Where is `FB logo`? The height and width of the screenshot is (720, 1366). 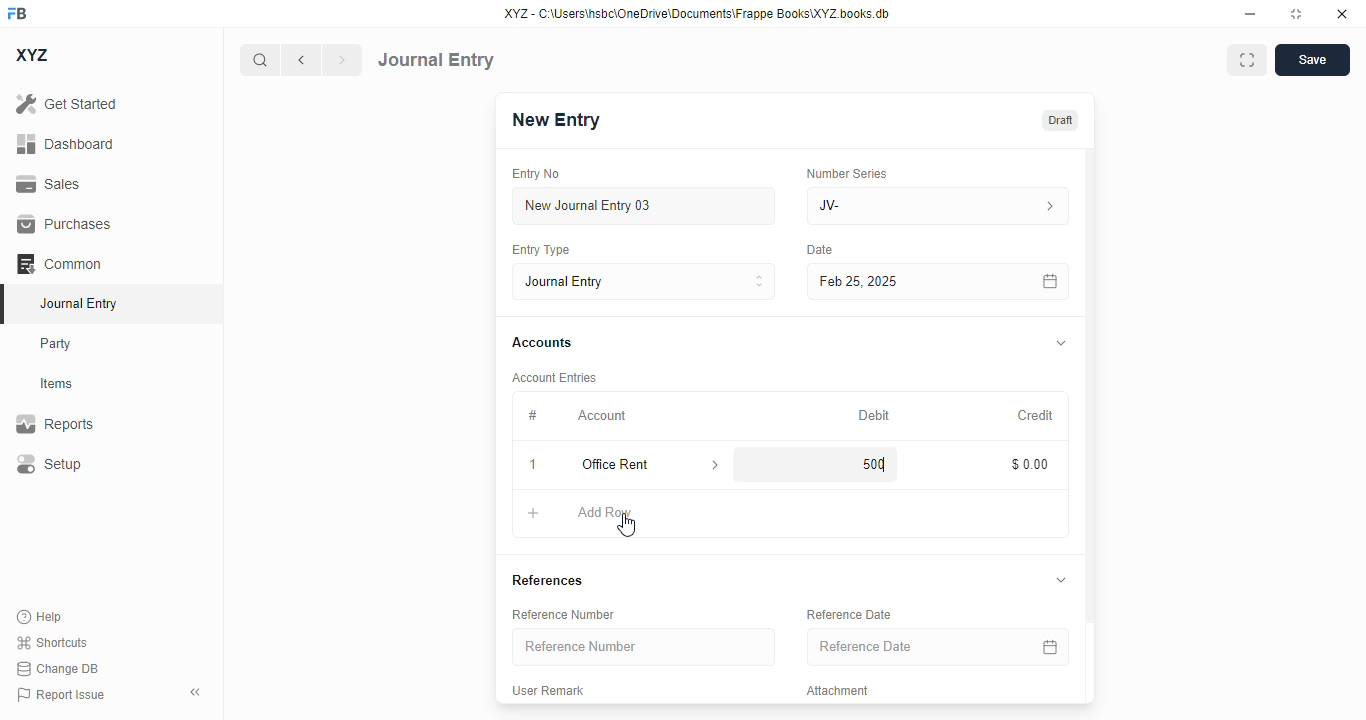 FB logo is located at coordinates (17, 12).